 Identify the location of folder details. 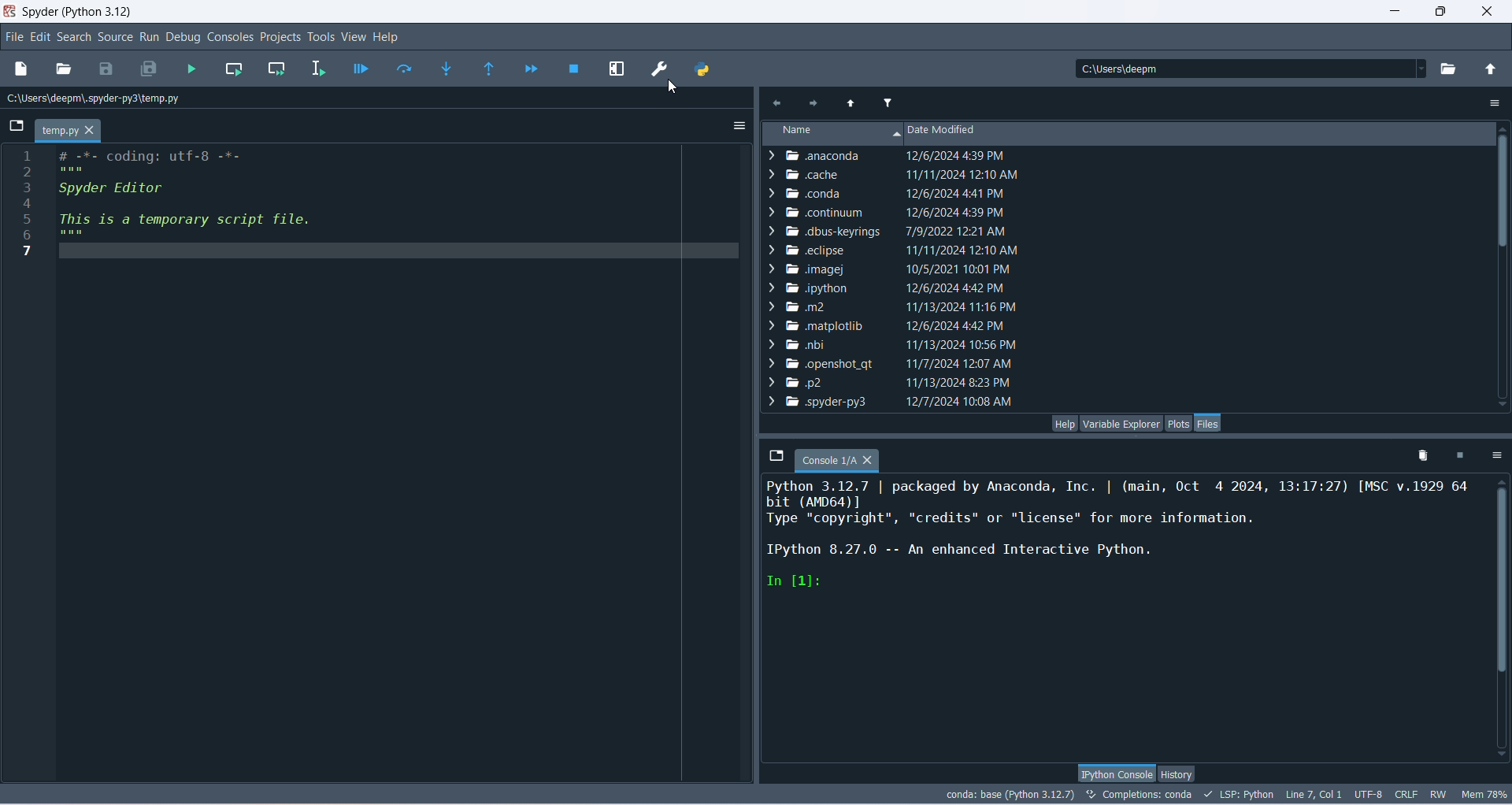
(889, 403).